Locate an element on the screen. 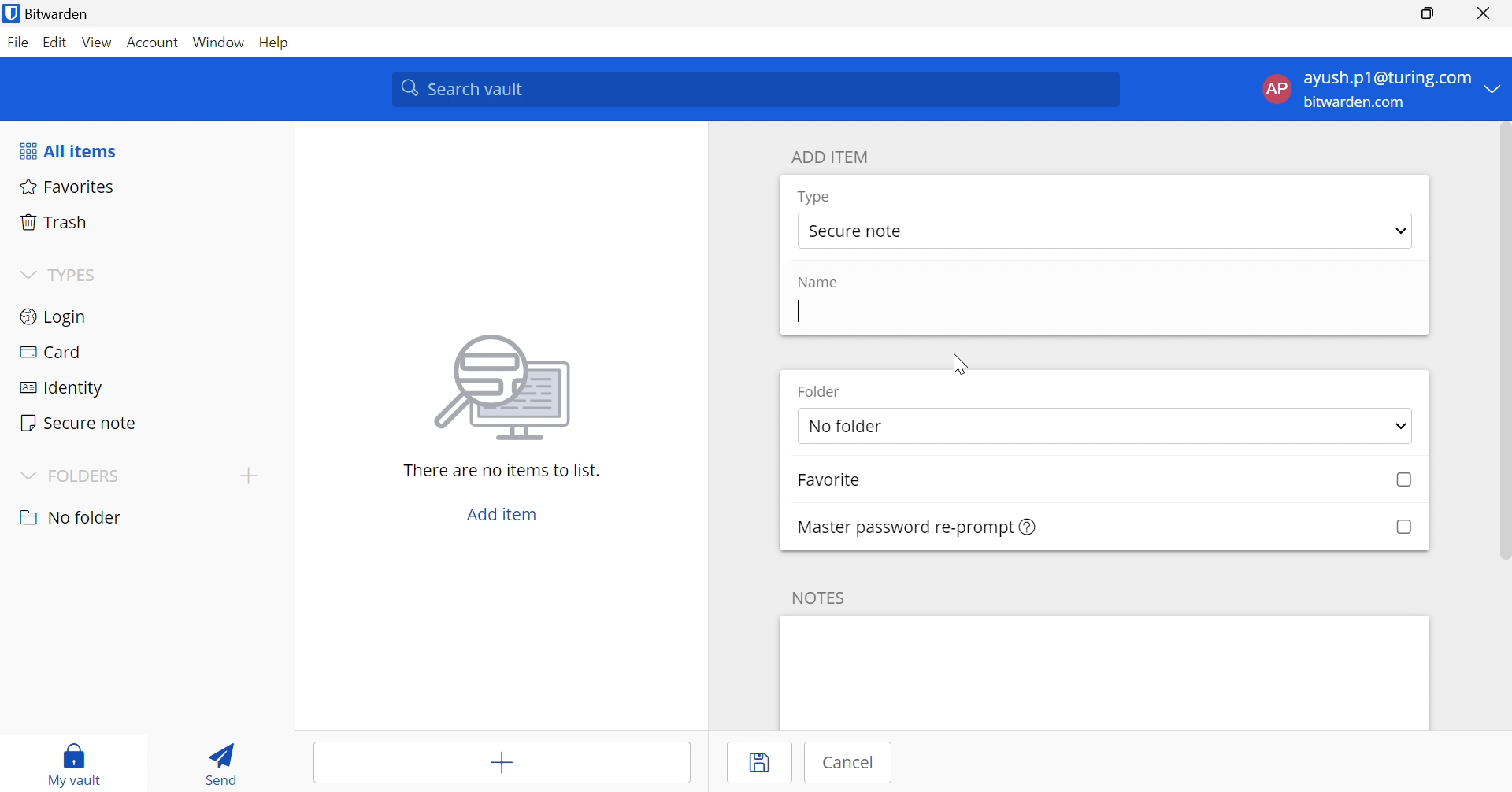 The image size is (1512, 792). My vault is located at coordinates (76, 764).